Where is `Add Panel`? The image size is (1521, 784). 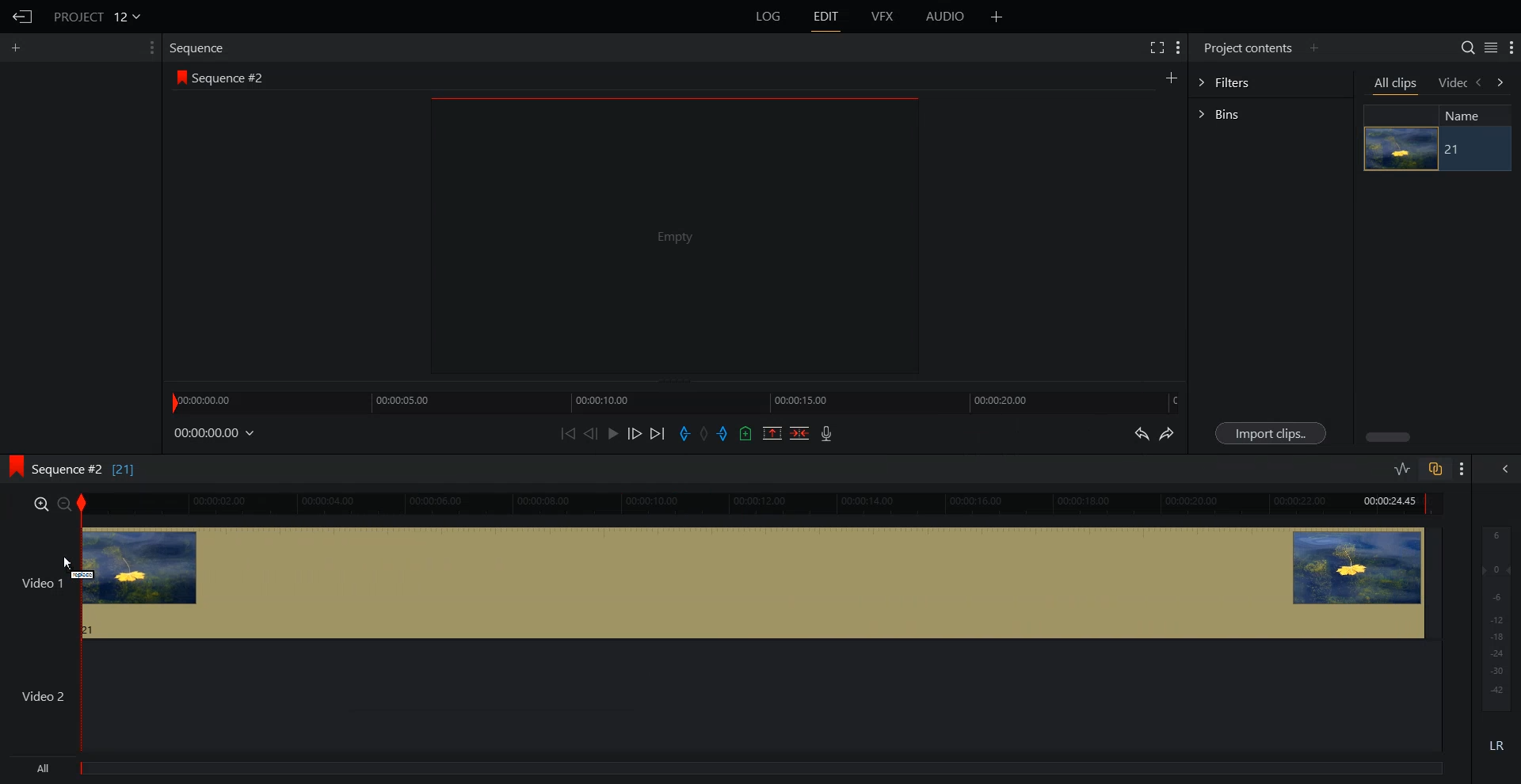 Add Panel is located at coordinates (1316, 48).